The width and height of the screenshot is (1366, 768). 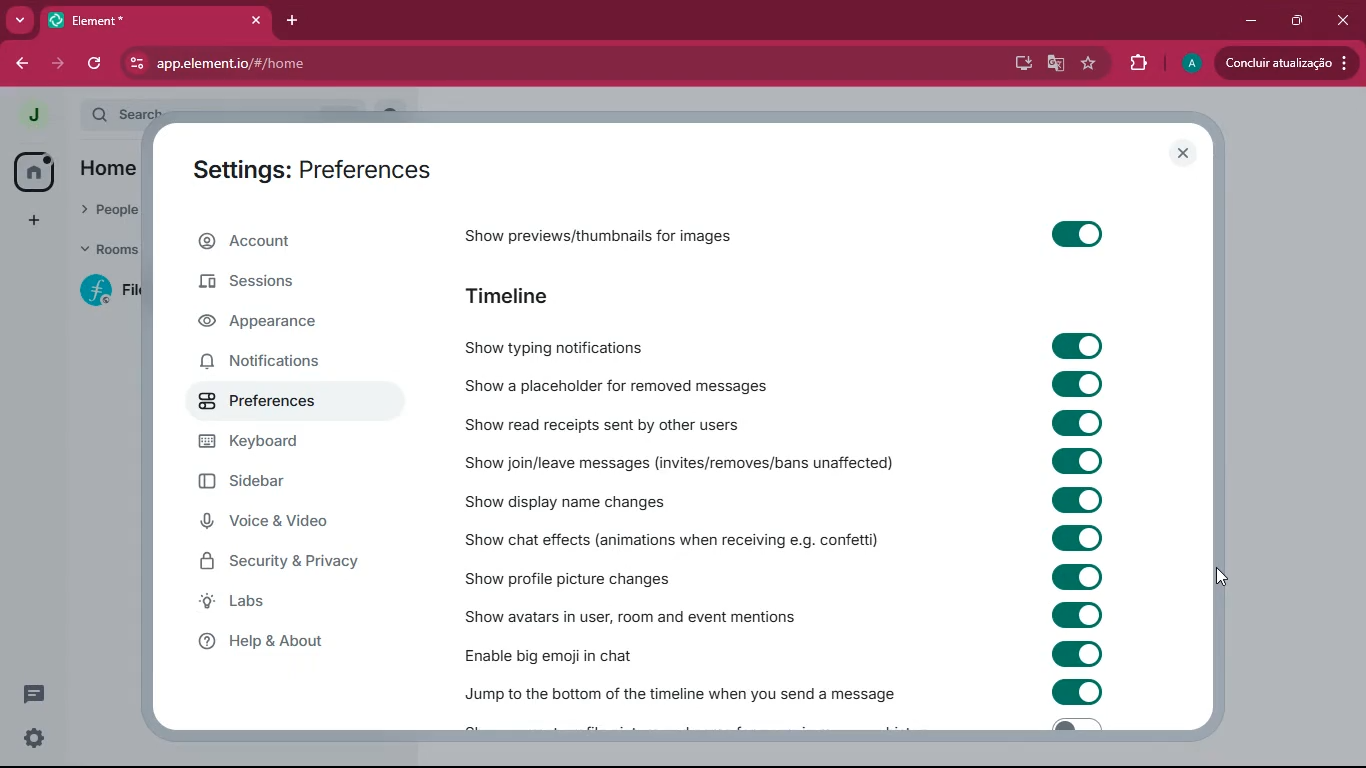 What do you see at coordinates (108, 249) in the screenshot?
I see `rooms` at bounding box center [108, 249].